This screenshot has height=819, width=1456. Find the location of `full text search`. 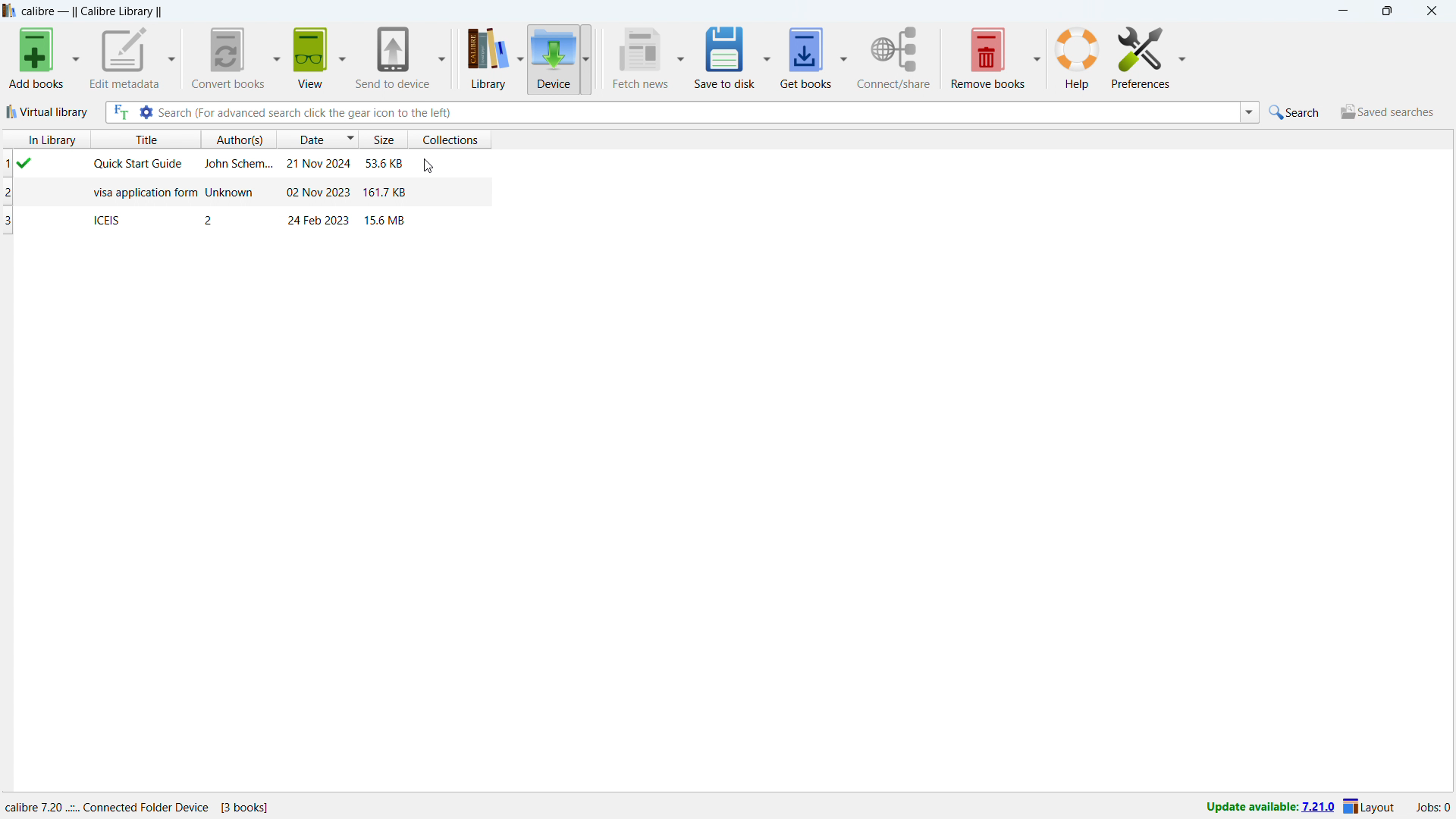

full text search is located at coordinates (119, 113).